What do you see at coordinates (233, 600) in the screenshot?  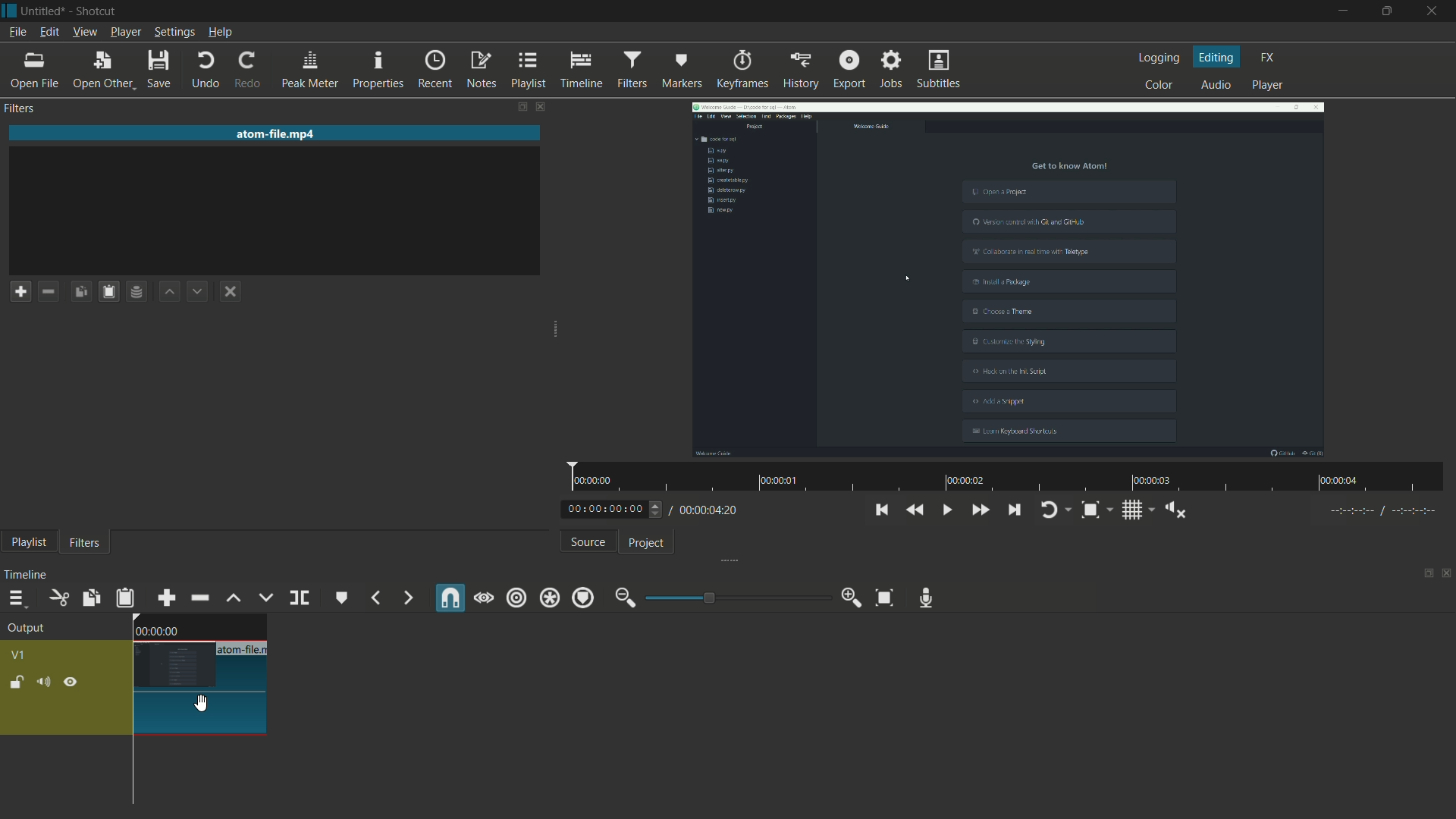 I see `move filter up` at bounding box center [233, 600].